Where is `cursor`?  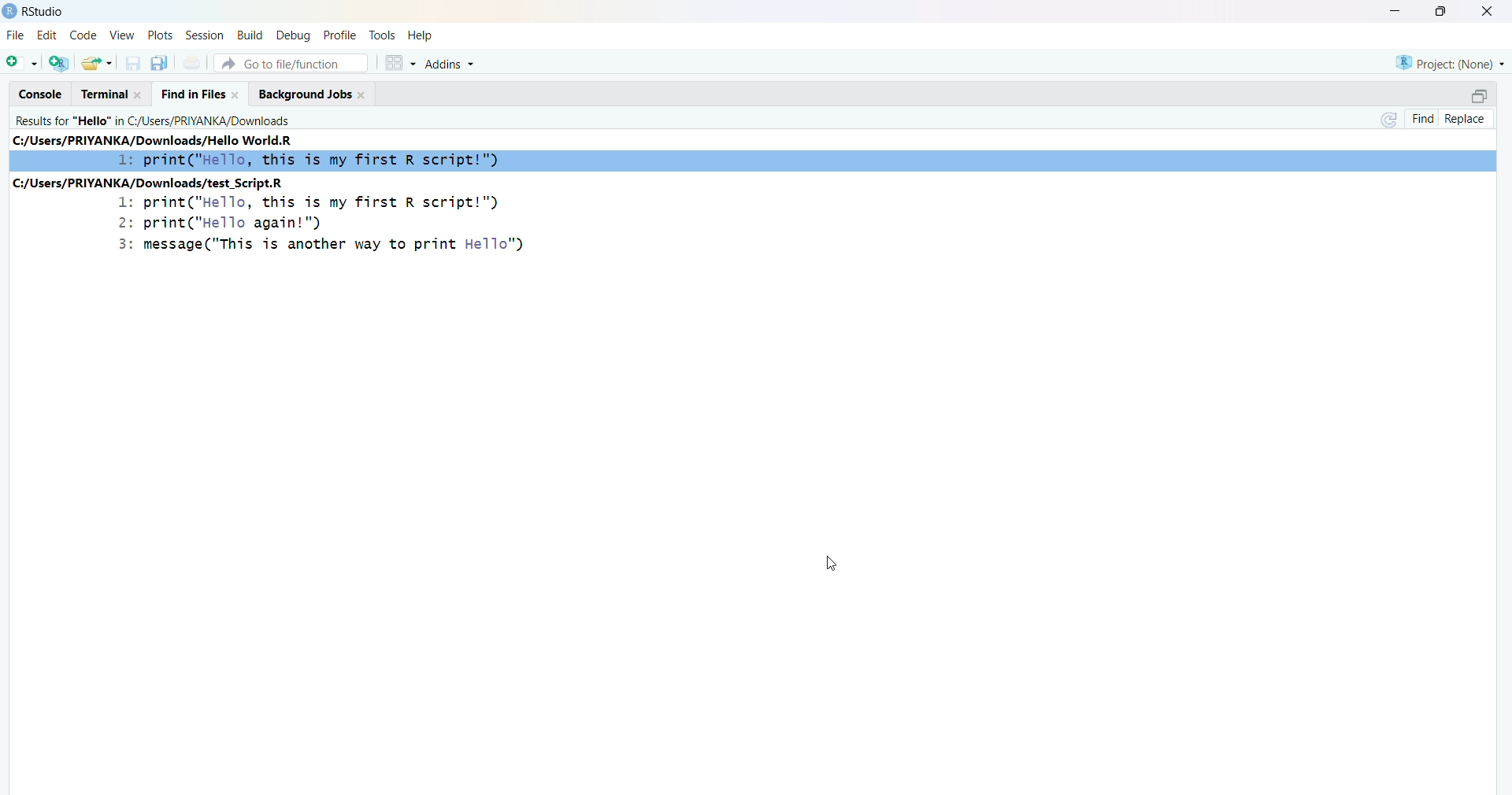
cursor is located at coordinates (831, 567).